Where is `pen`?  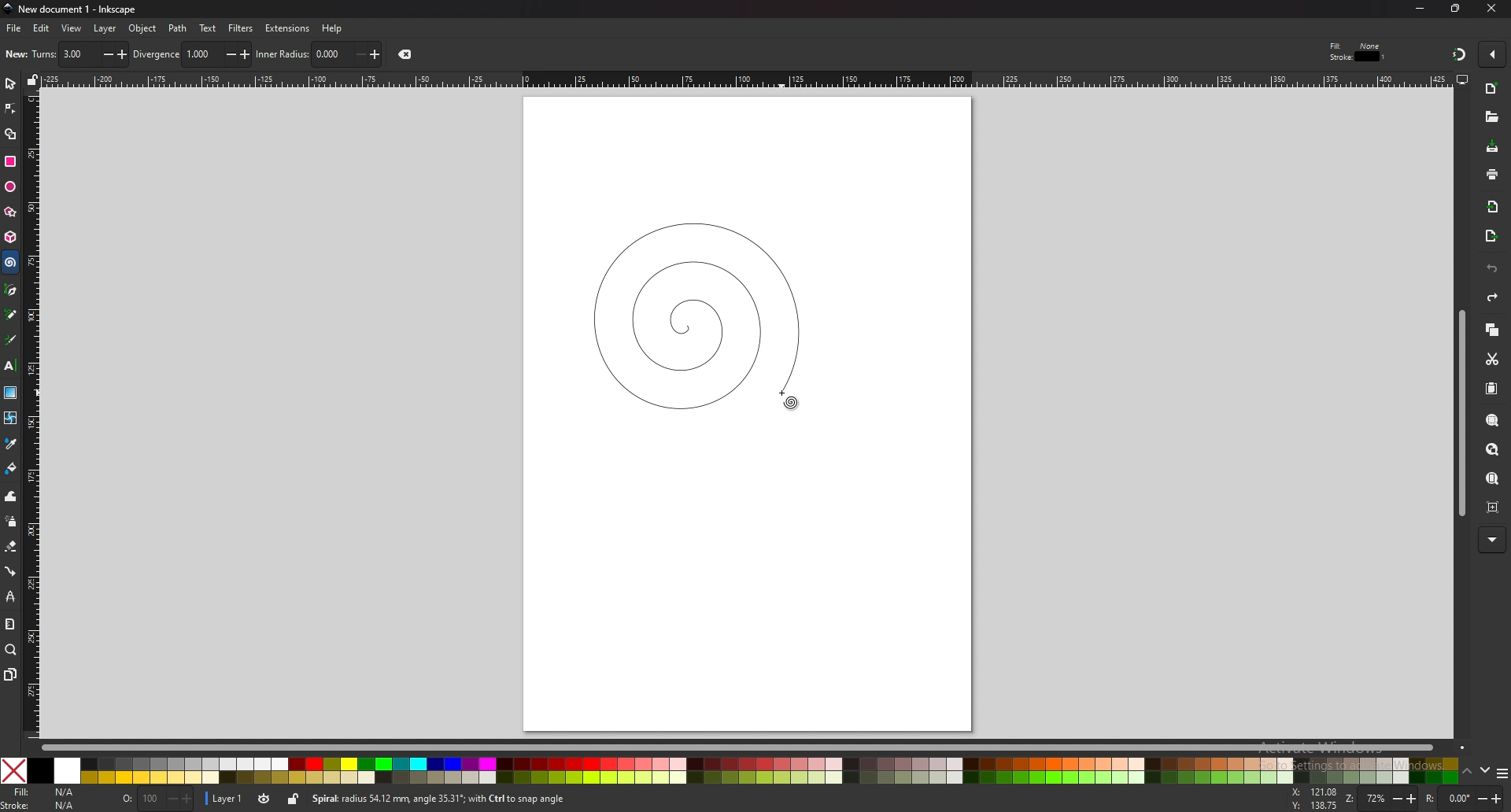 pen is located at coordinates (10, 290).